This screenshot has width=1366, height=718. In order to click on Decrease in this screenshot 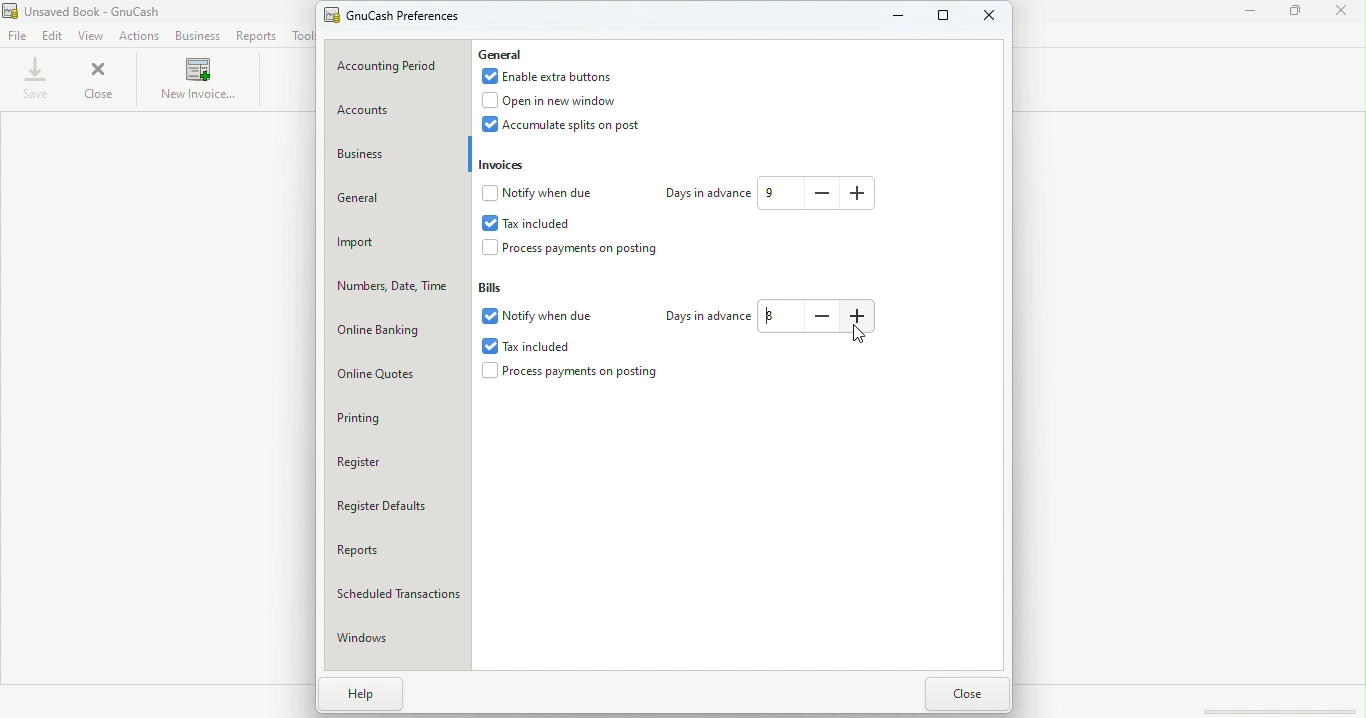, I will do `click(822, 191)`.